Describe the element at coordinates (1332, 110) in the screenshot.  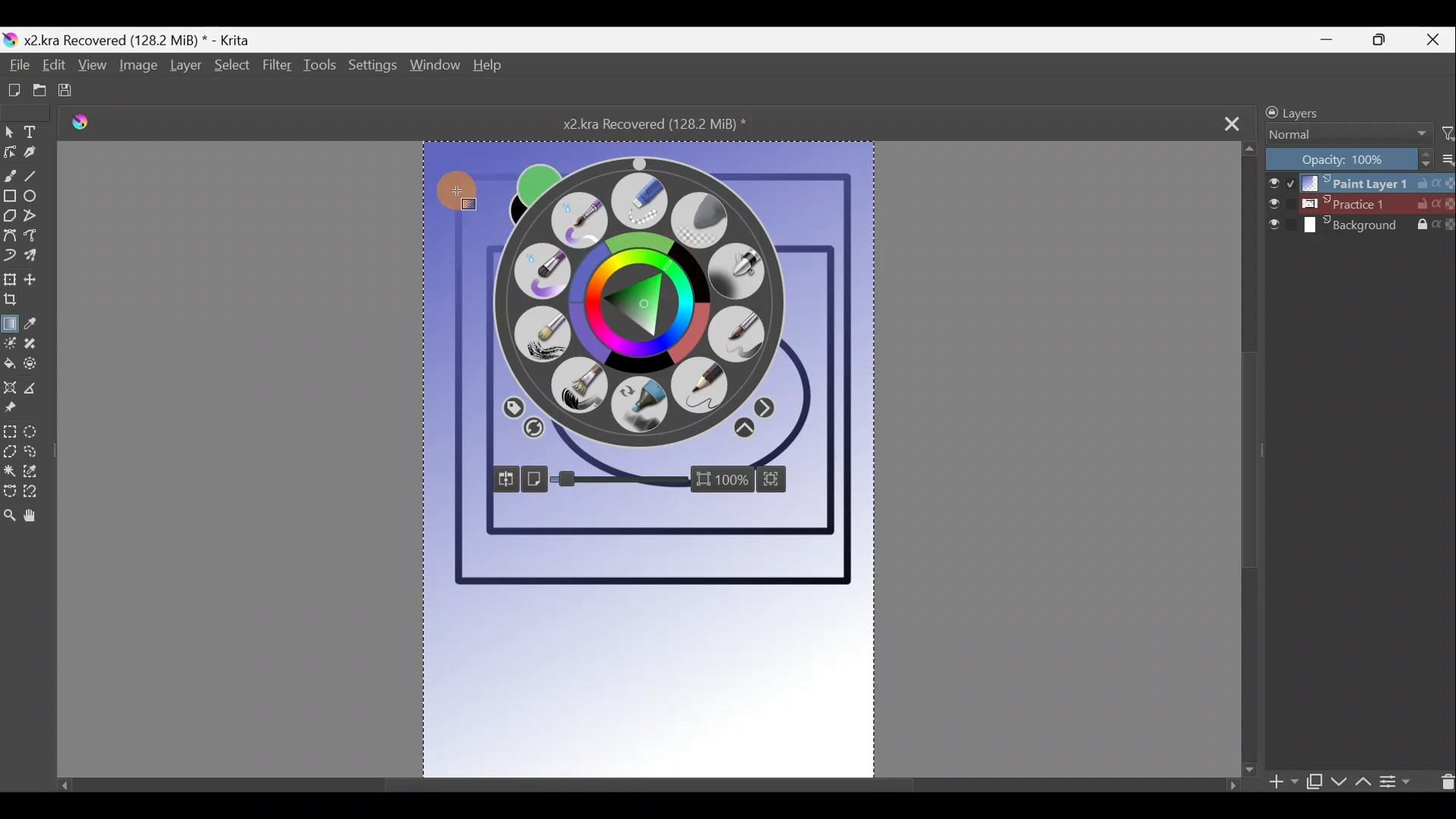
I see `Layers` at that location.